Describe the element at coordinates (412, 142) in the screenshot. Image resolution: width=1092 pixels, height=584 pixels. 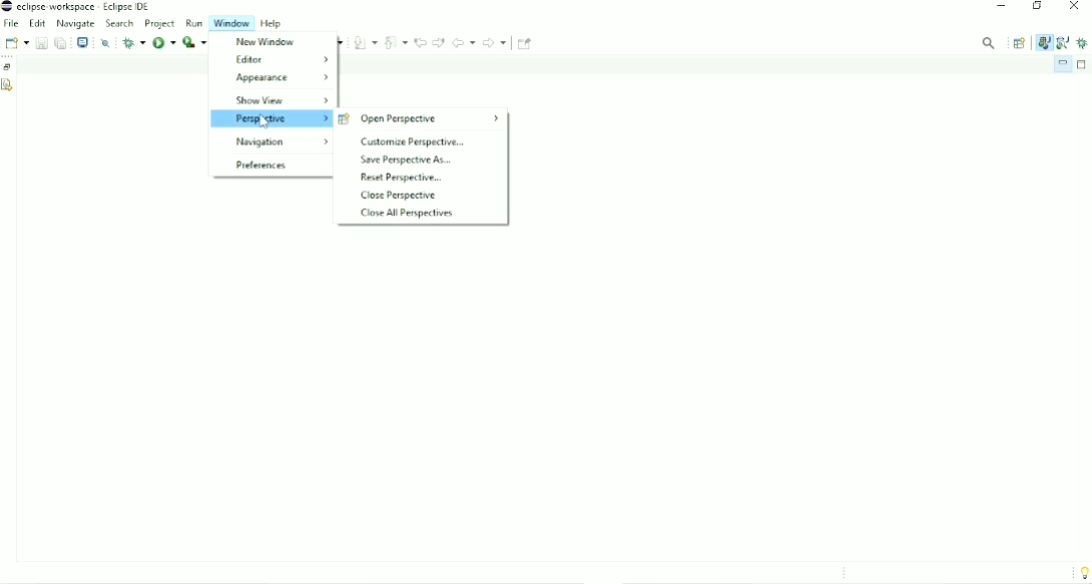
I see `Customize Perspective` at that location.